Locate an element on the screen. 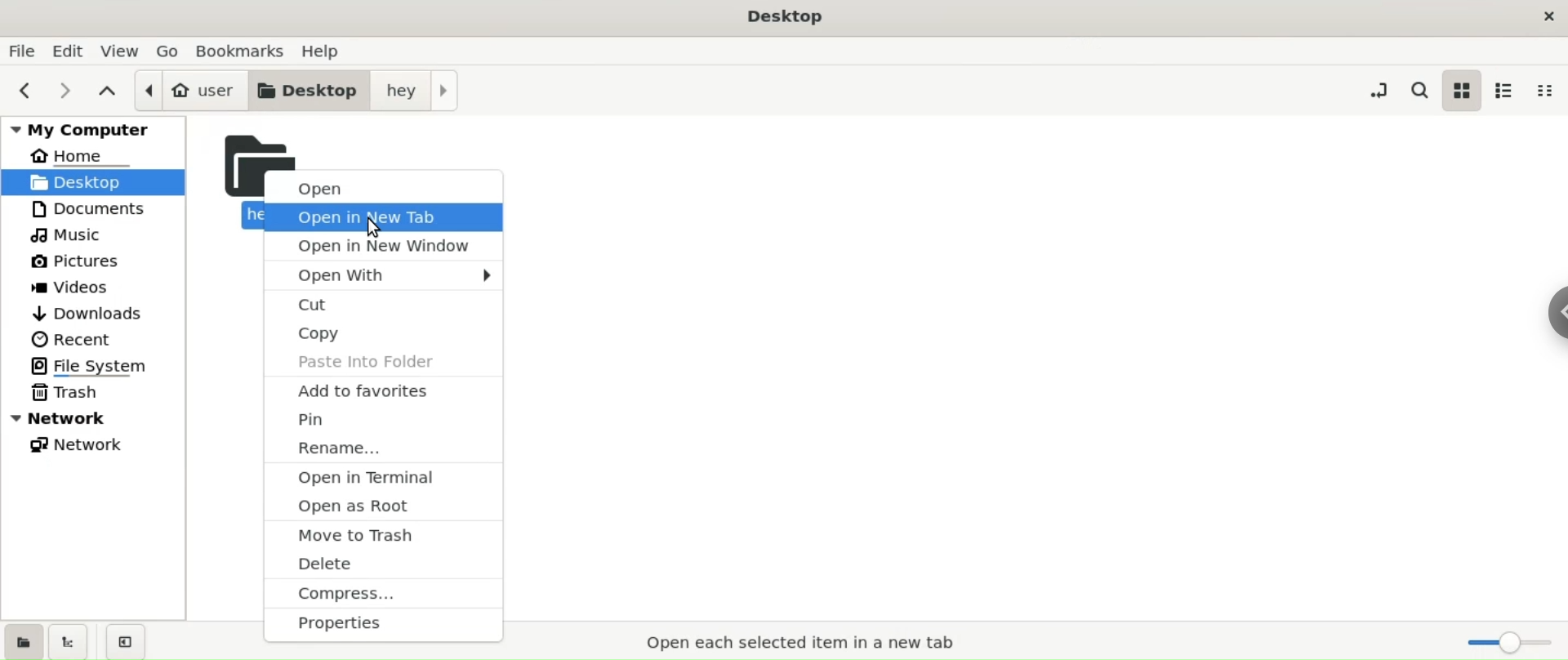 The image size is (1568, 660). show places is located at coordinates (26, 640).